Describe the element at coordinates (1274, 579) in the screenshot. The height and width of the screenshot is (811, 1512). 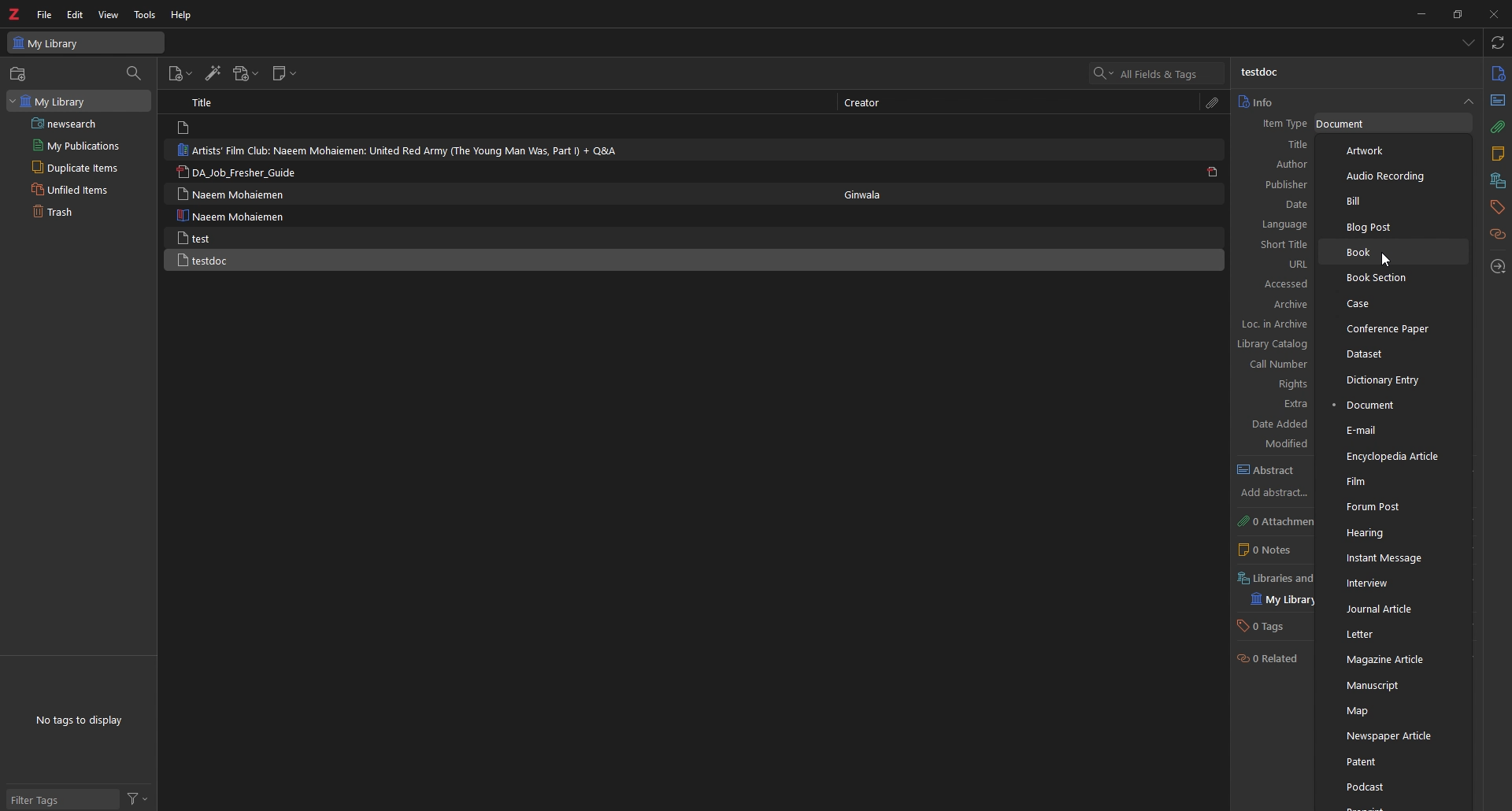
I see `Libraries and Collections` at that location.